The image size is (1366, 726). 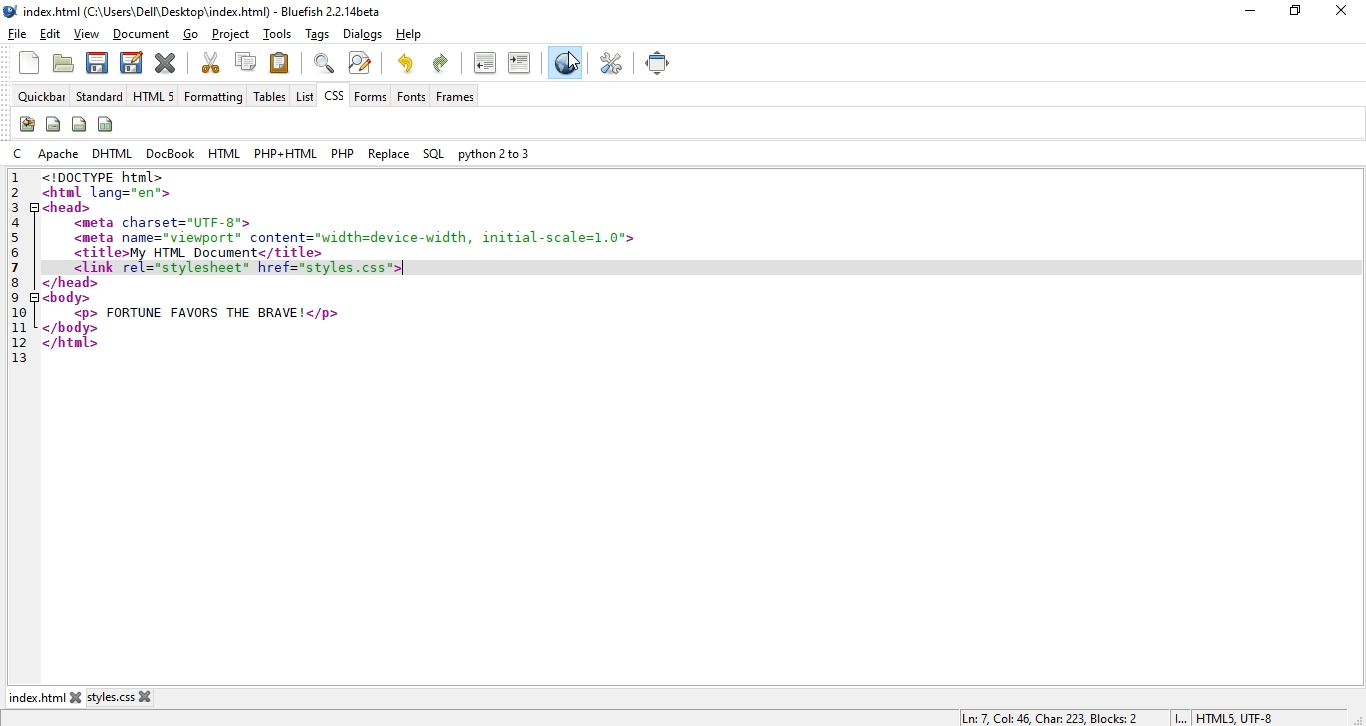 What do you see at coordinates (88, 34) in the screenshot?
I see `view` at bounding box center [88, 34].